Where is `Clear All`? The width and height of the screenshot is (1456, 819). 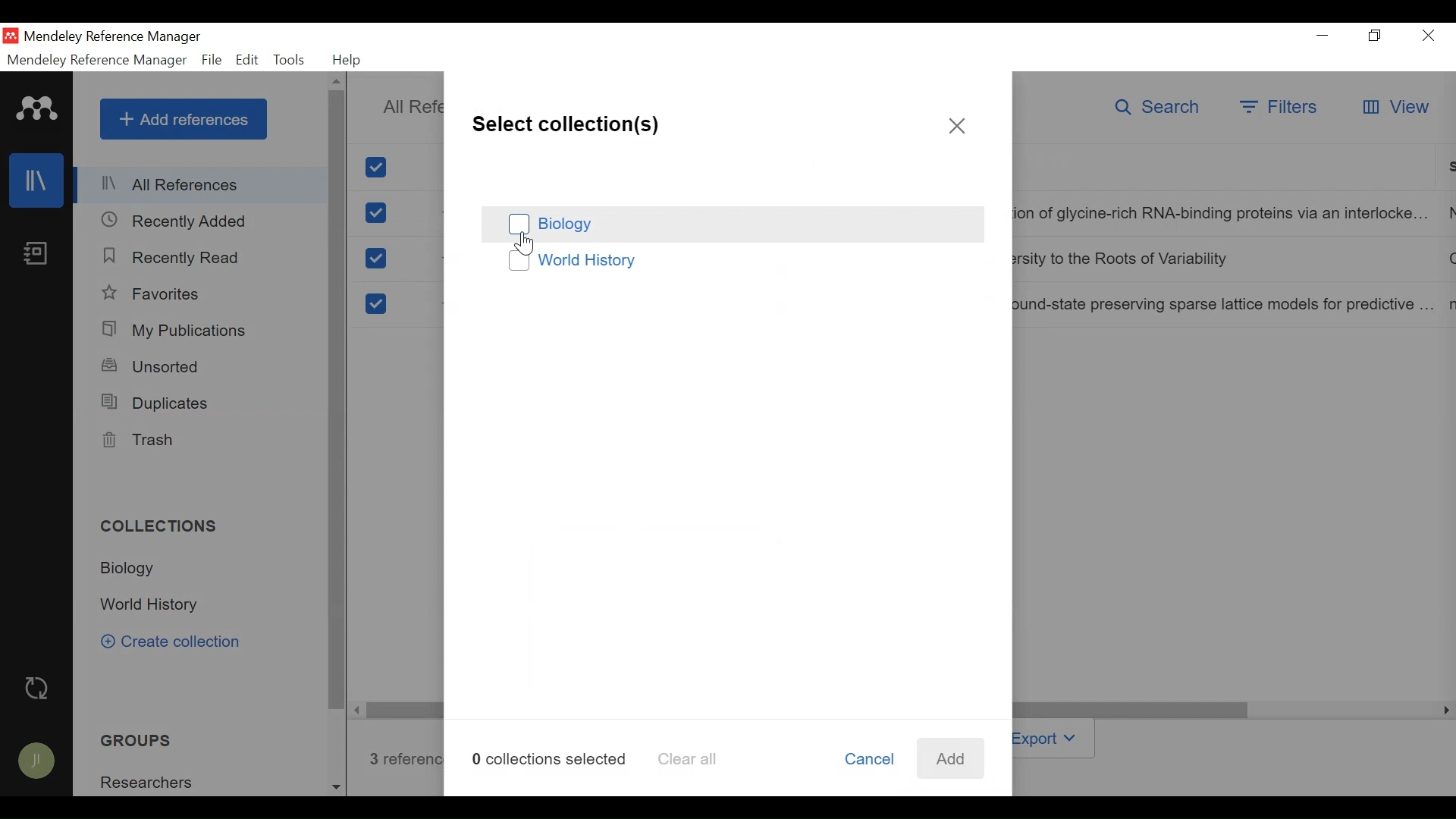
Clear All is located at coordinates (685, 760).